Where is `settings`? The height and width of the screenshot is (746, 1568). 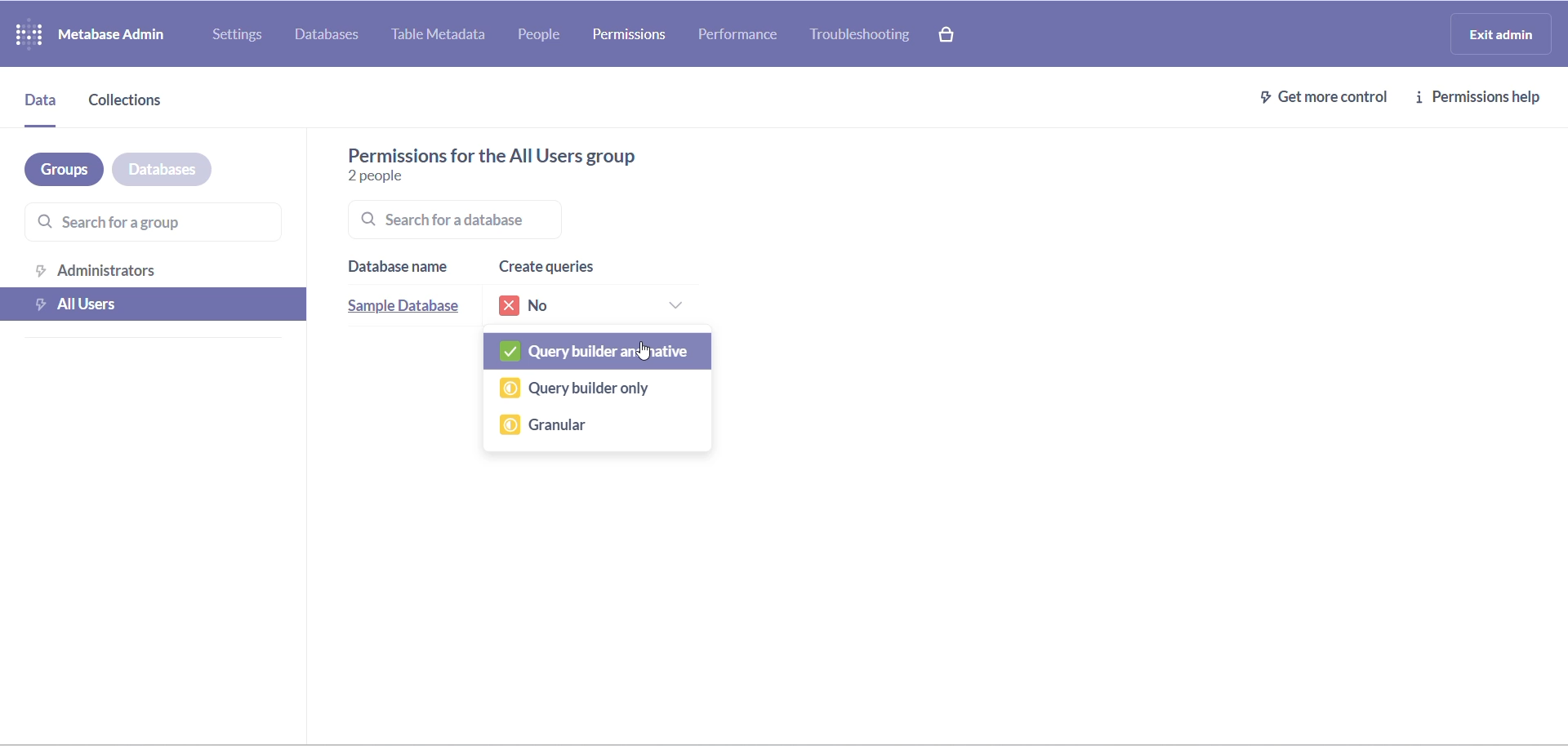 settings is located at coordinates (239, 34).